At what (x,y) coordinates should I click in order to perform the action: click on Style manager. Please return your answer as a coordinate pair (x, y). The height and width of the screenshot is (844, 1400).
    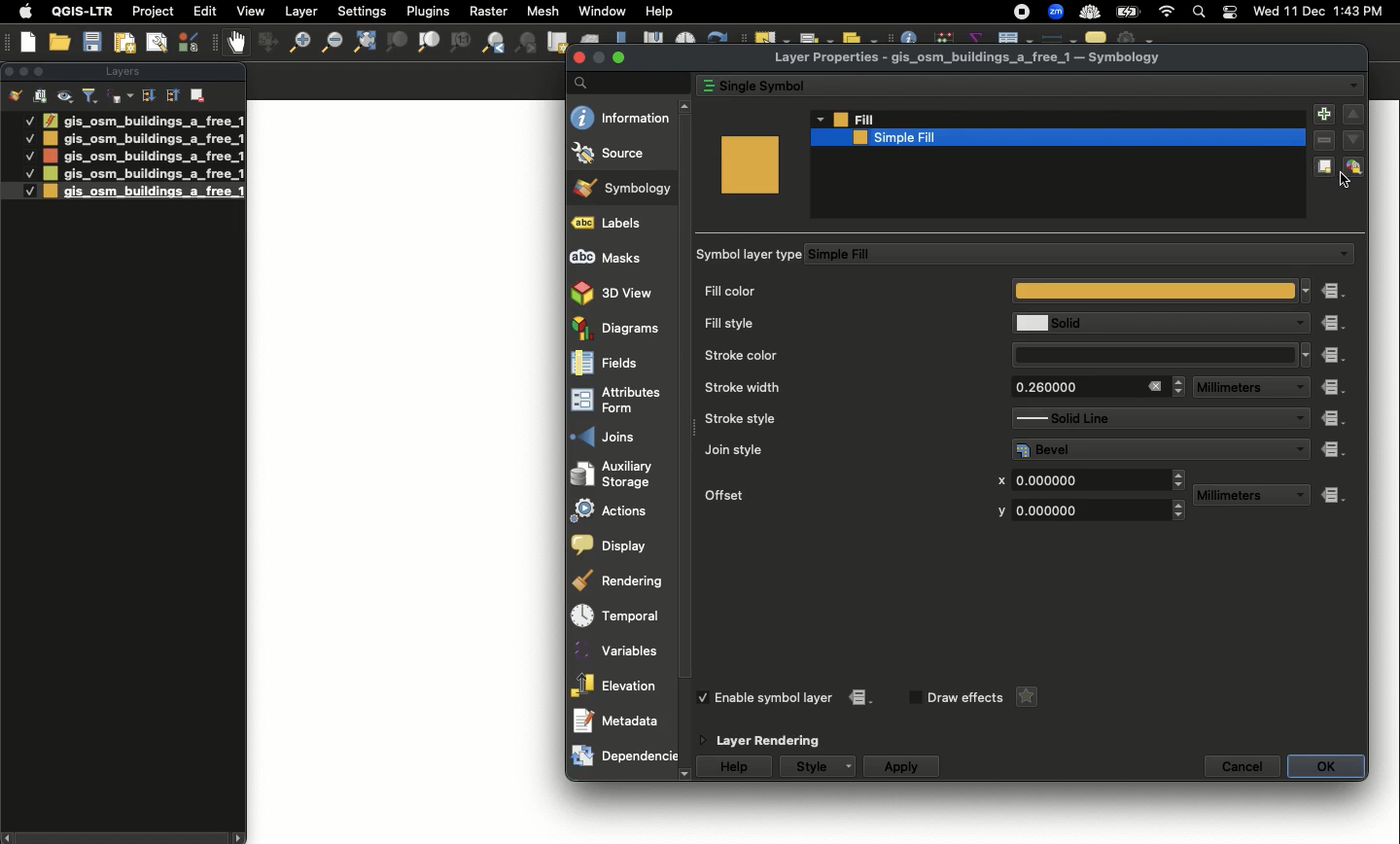
    Looking at the image, I should click on (191, 42).